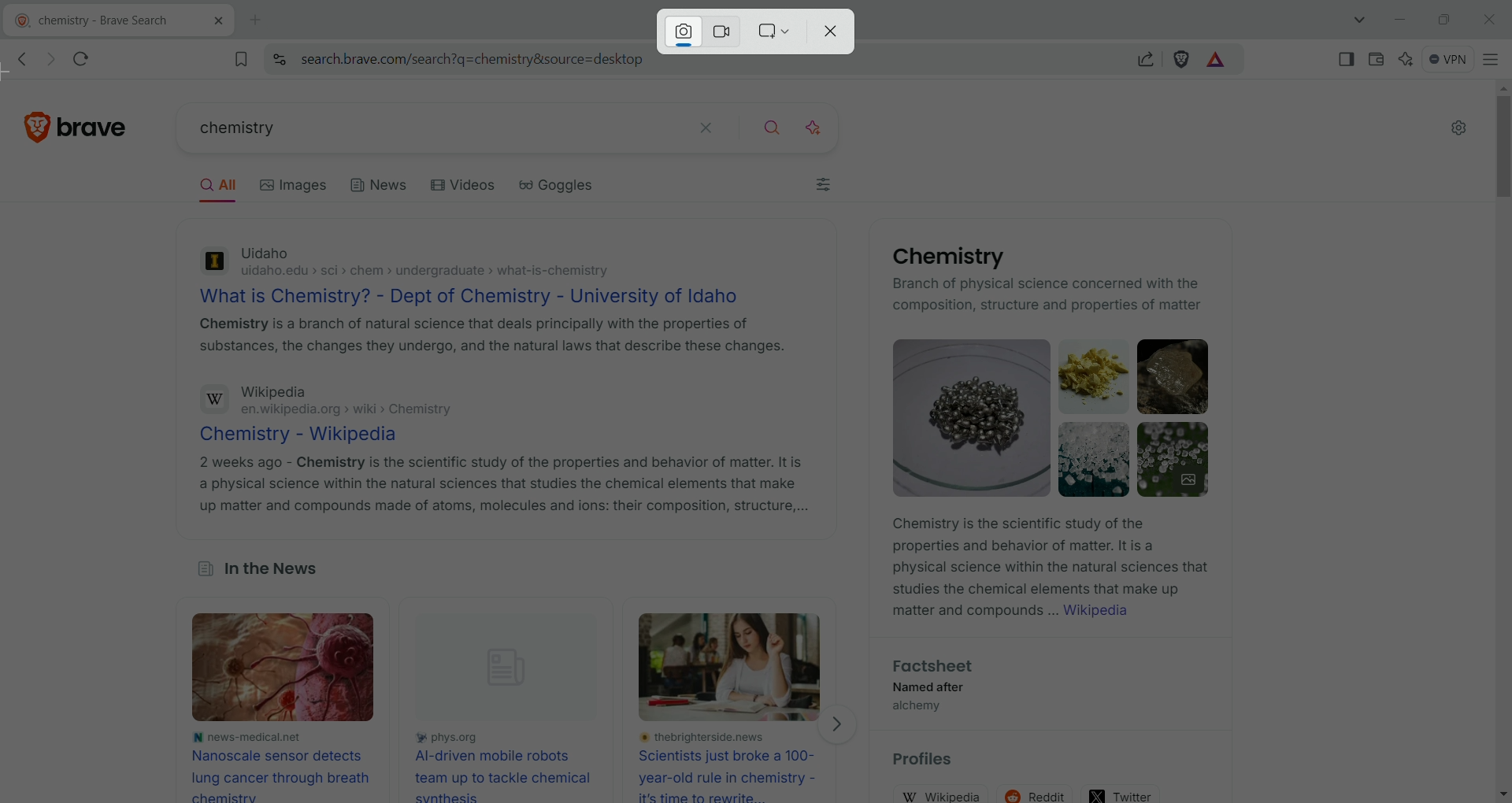 The image size is (1512, 803). What do you see at coordinates (943, 257) in the screenshot?
I see `Chemistry` at bounding box center [943, 257].